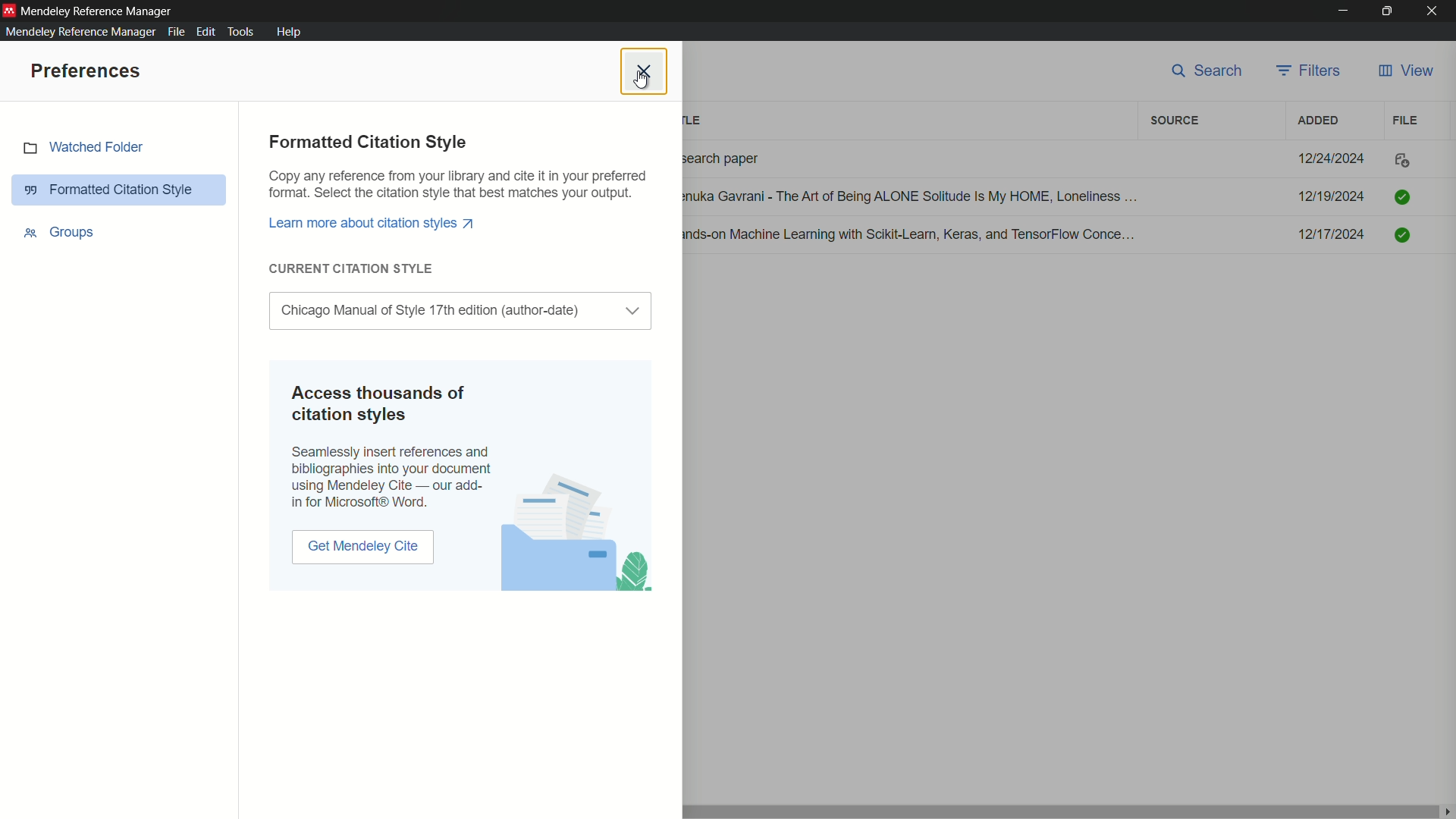 The height and width of the screenshot is (819, 1456). Describe the element at coordinates (1316, 120) in the screenshot. I see `added` at that location.